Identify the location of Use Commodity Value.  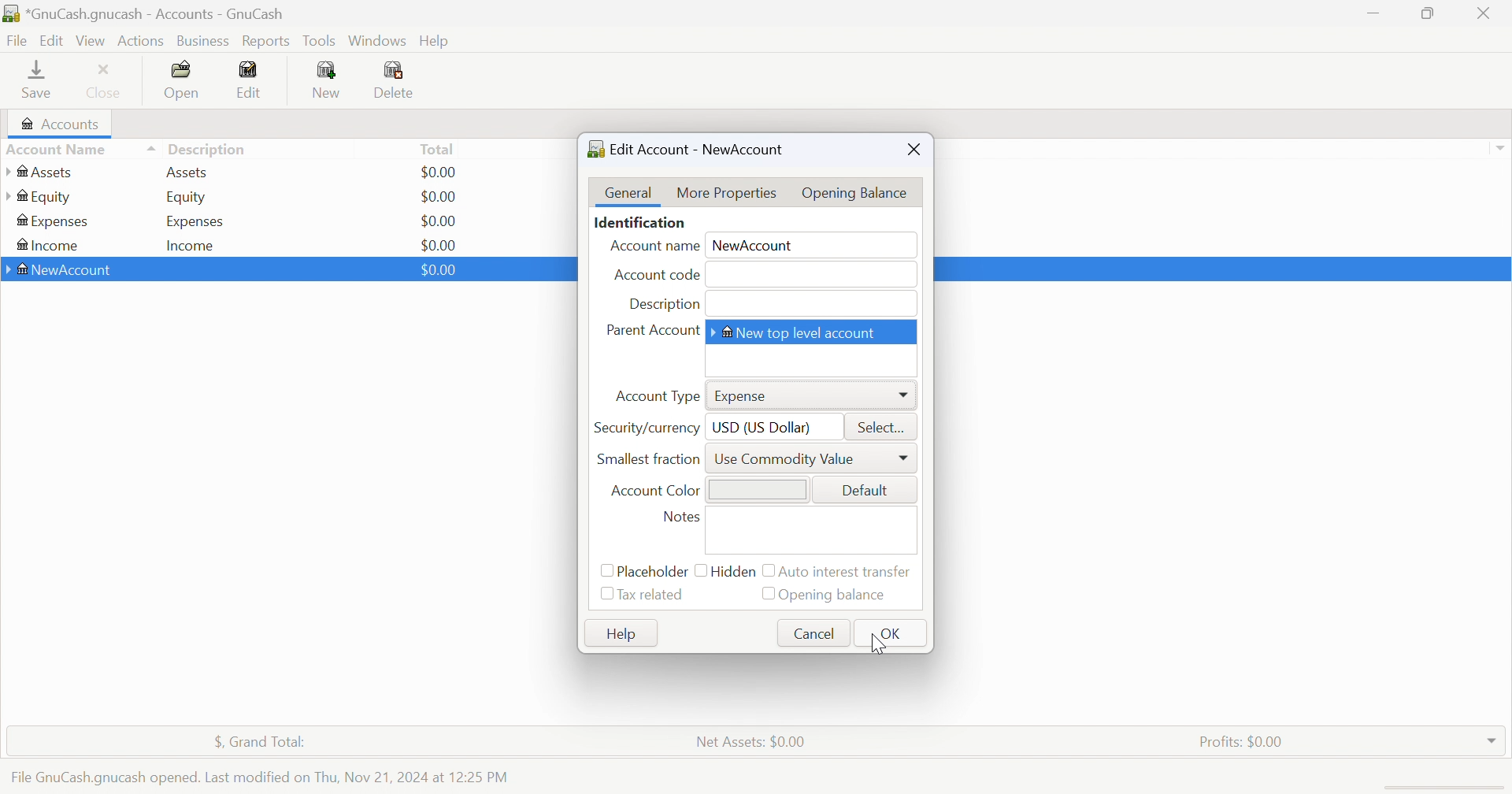
(791, 458).